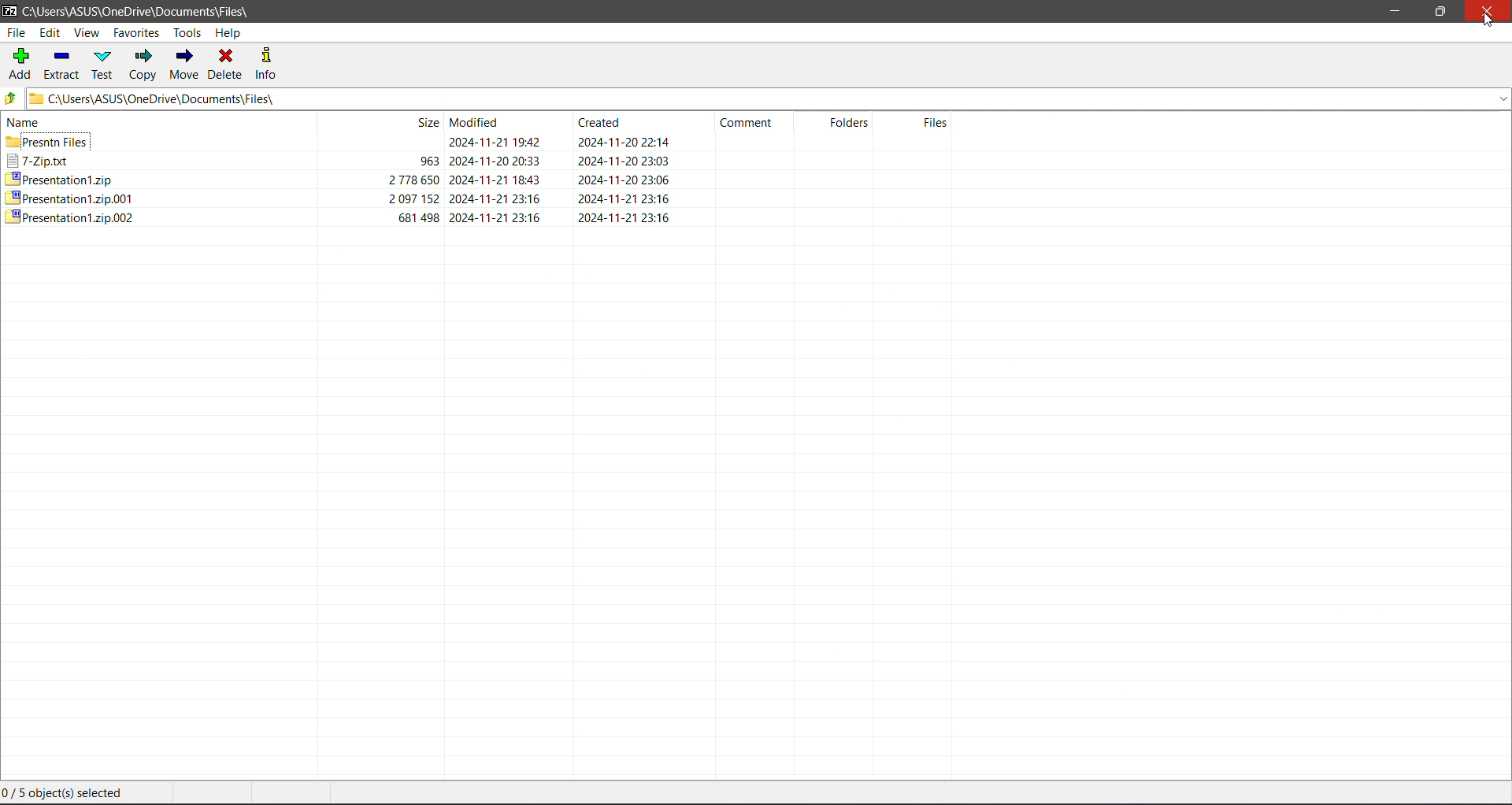  What do you see at coordinates (1485, 21) in the screenshot?
I see `Cursor` at bounding box center [1485, 21].